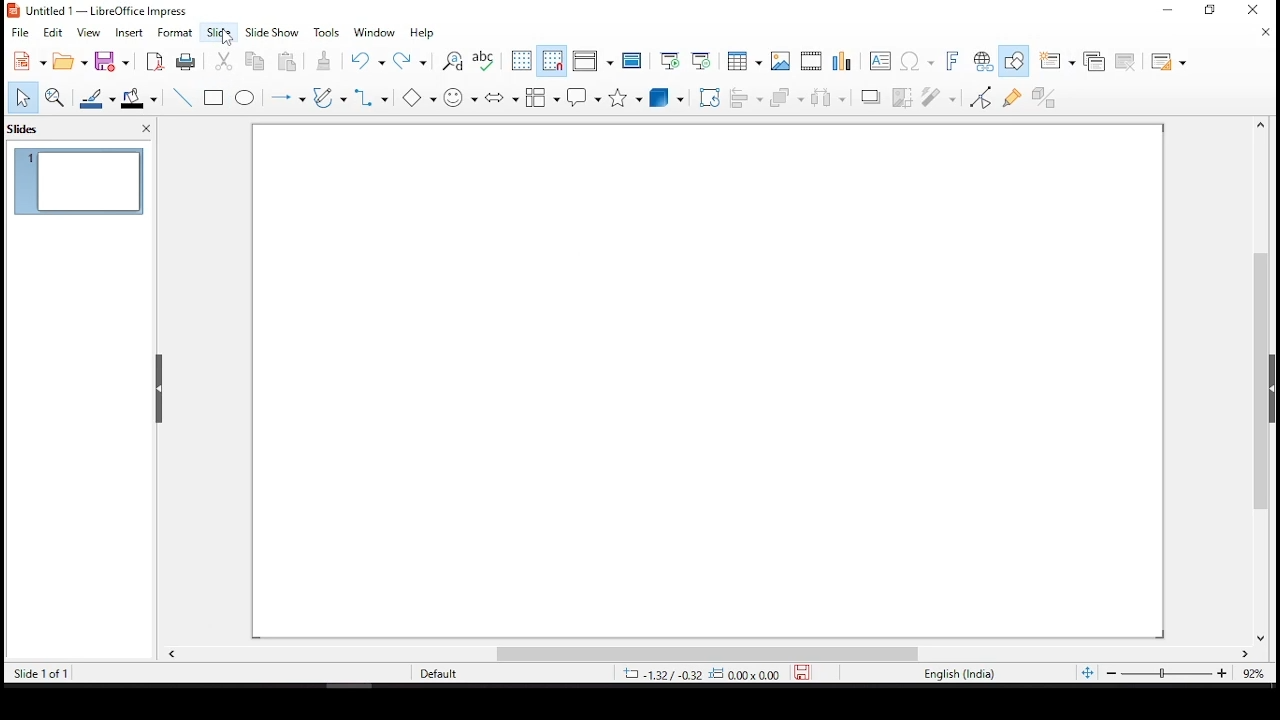  Describe the element at coordinates (327, 32) in the screenshot. I see `tools` at that location.